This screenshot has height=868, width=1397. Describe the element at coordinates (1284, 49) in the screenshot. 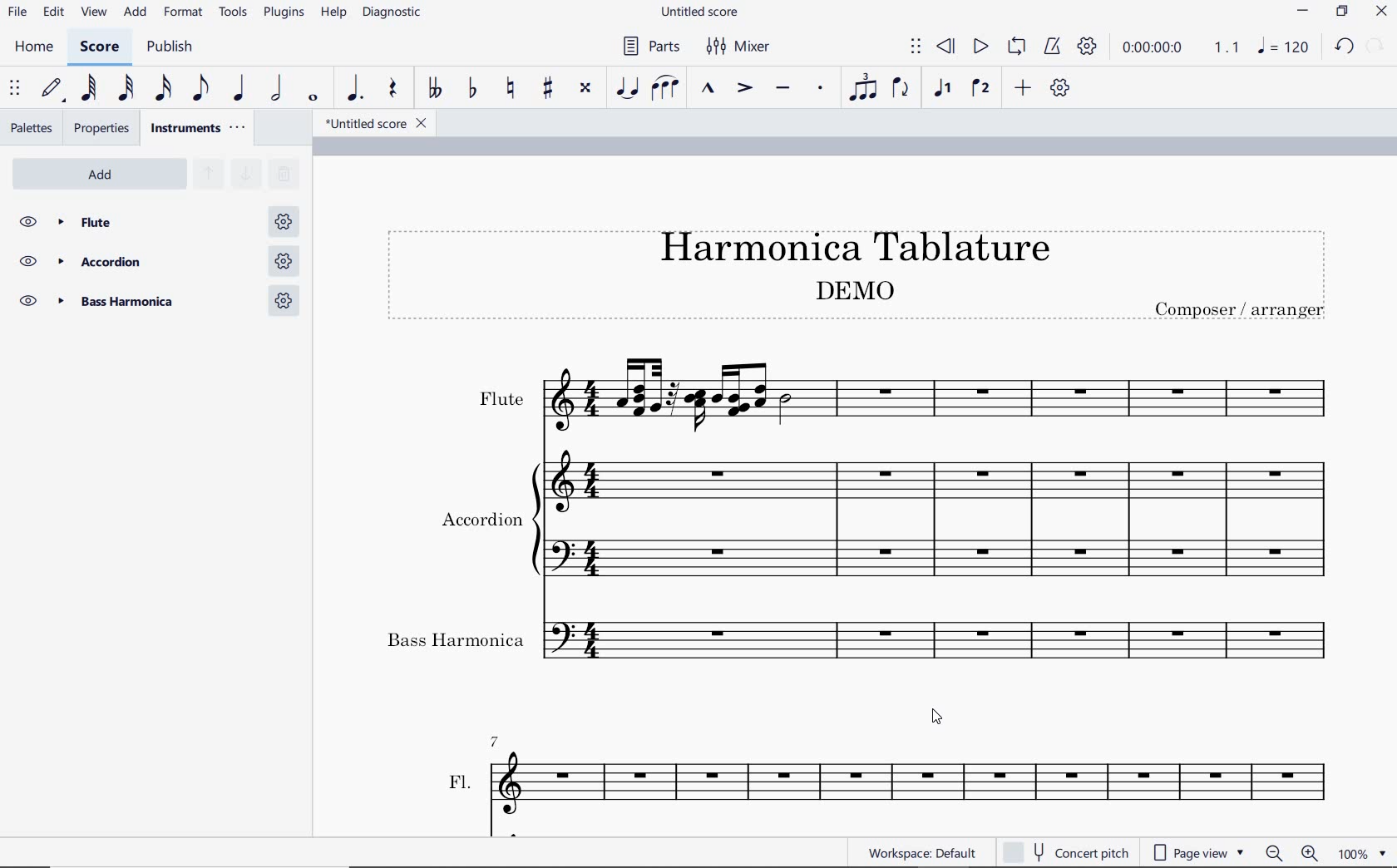

I see `NOTE` at that location.